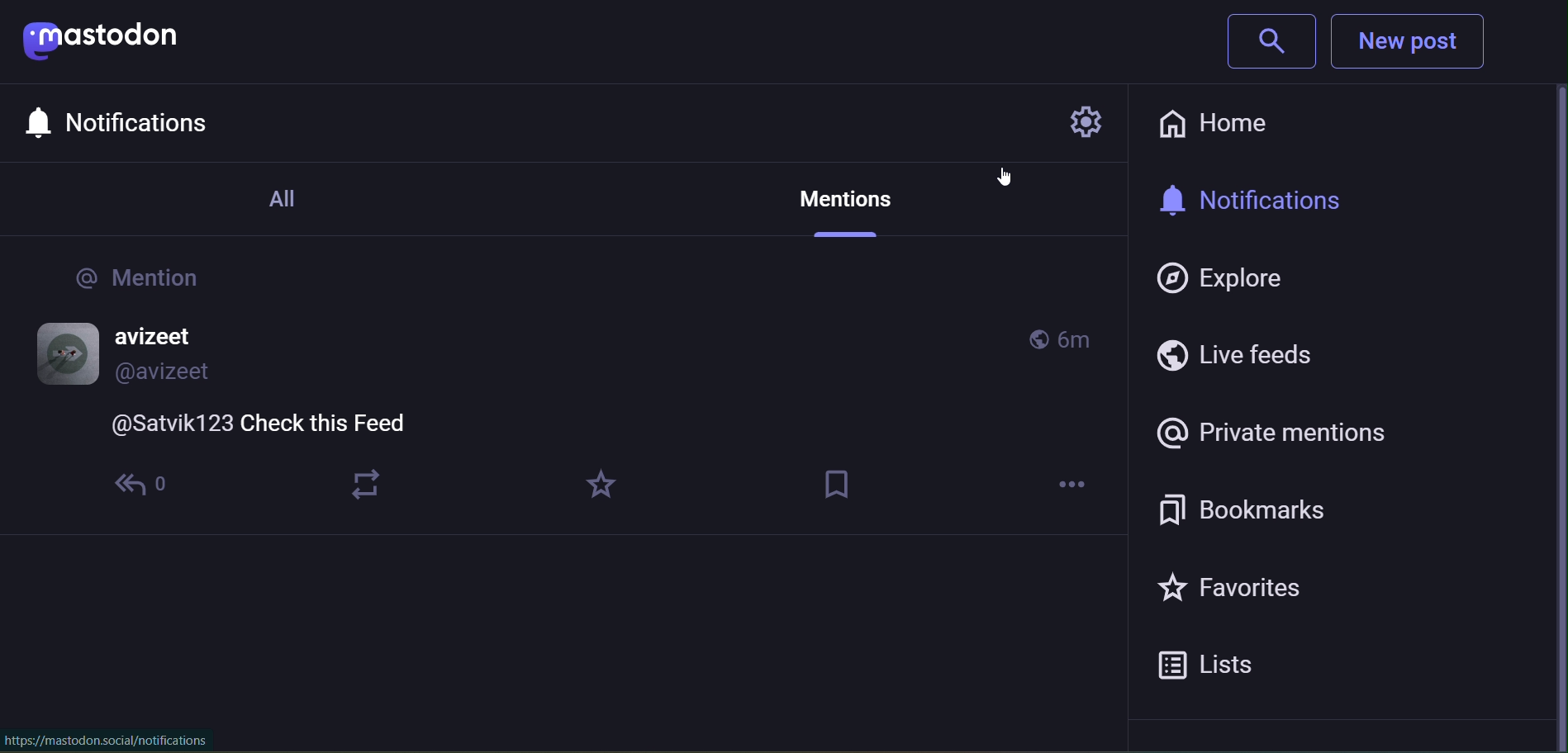  I want to click on @Satvik123 Check this Feed, so click(269, 419).